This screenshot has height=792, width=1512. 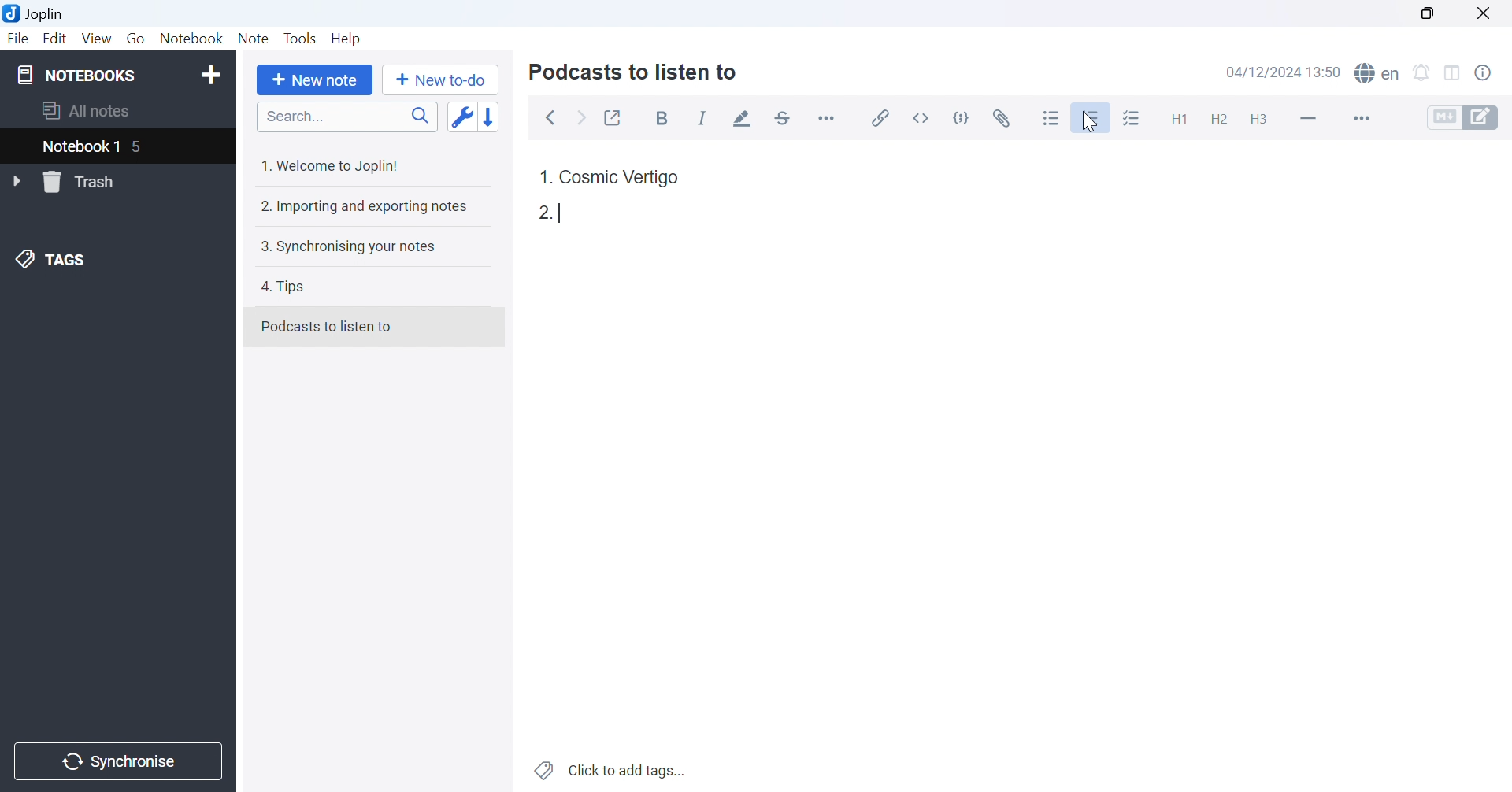 What do you see at coordinates (445, 80) in the screenshot?
I see `New to-do` at bounding box center [445, 80].